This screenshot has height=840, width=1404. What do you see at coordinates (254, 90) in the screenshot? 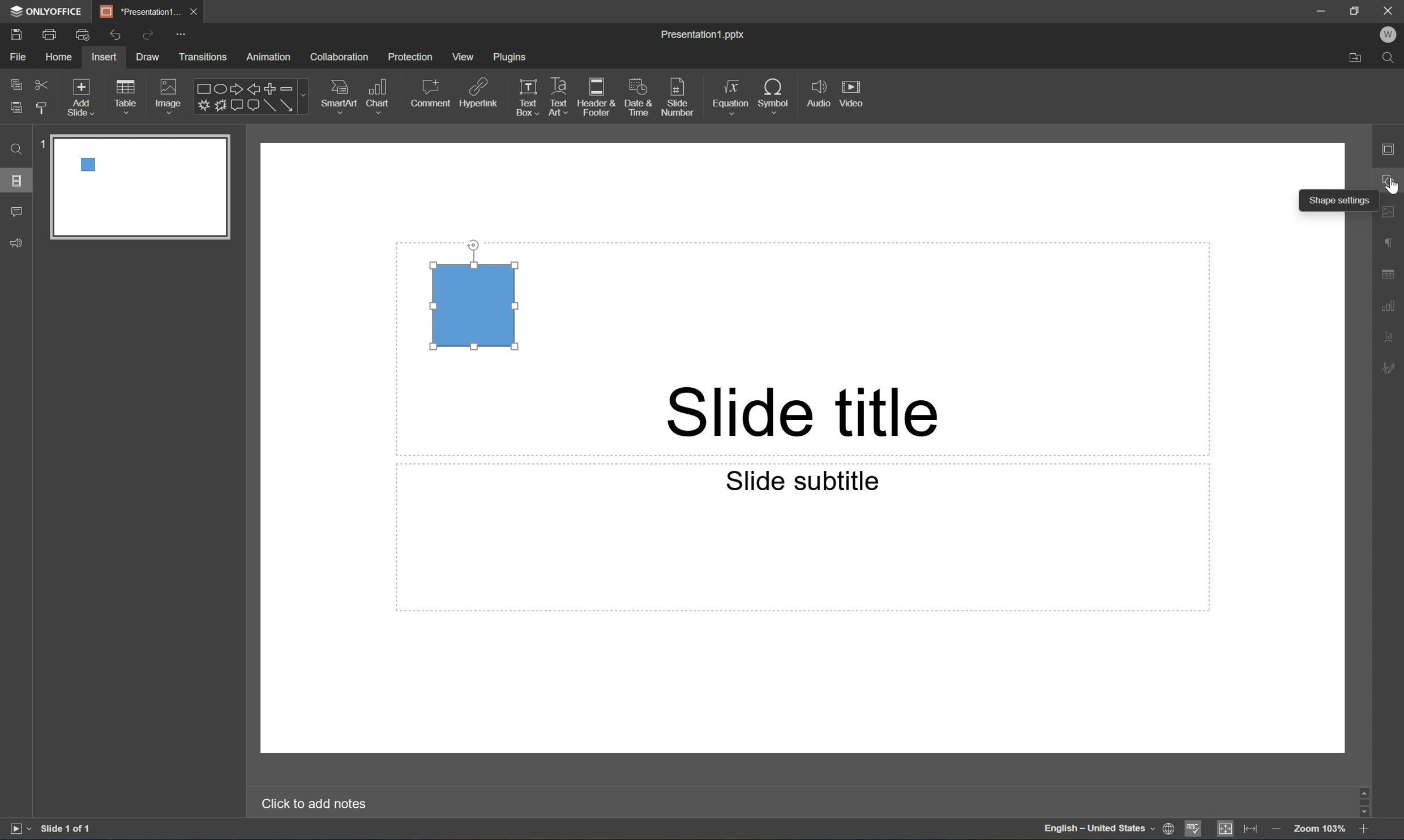
I see `Left arrow` at bounding box center [254, 90].